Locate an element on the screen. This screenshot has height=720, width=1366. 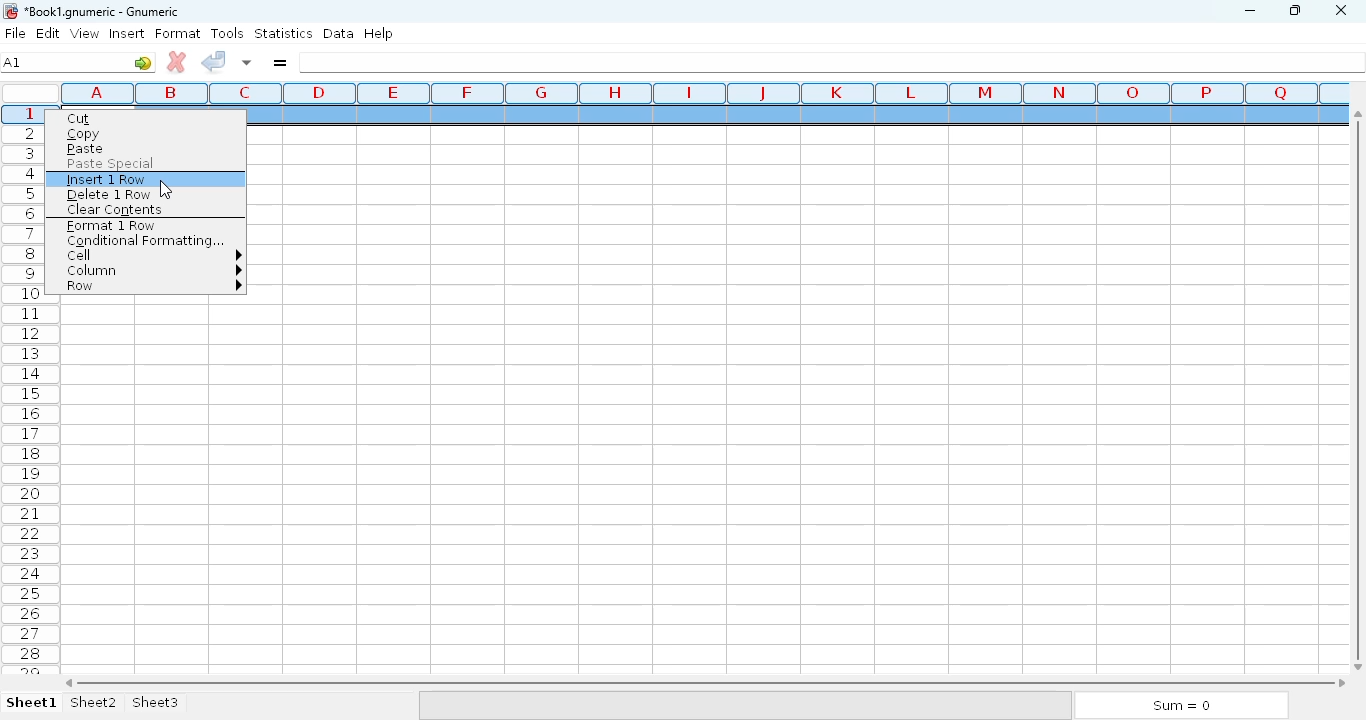
column is located at coordinates (152, 271).